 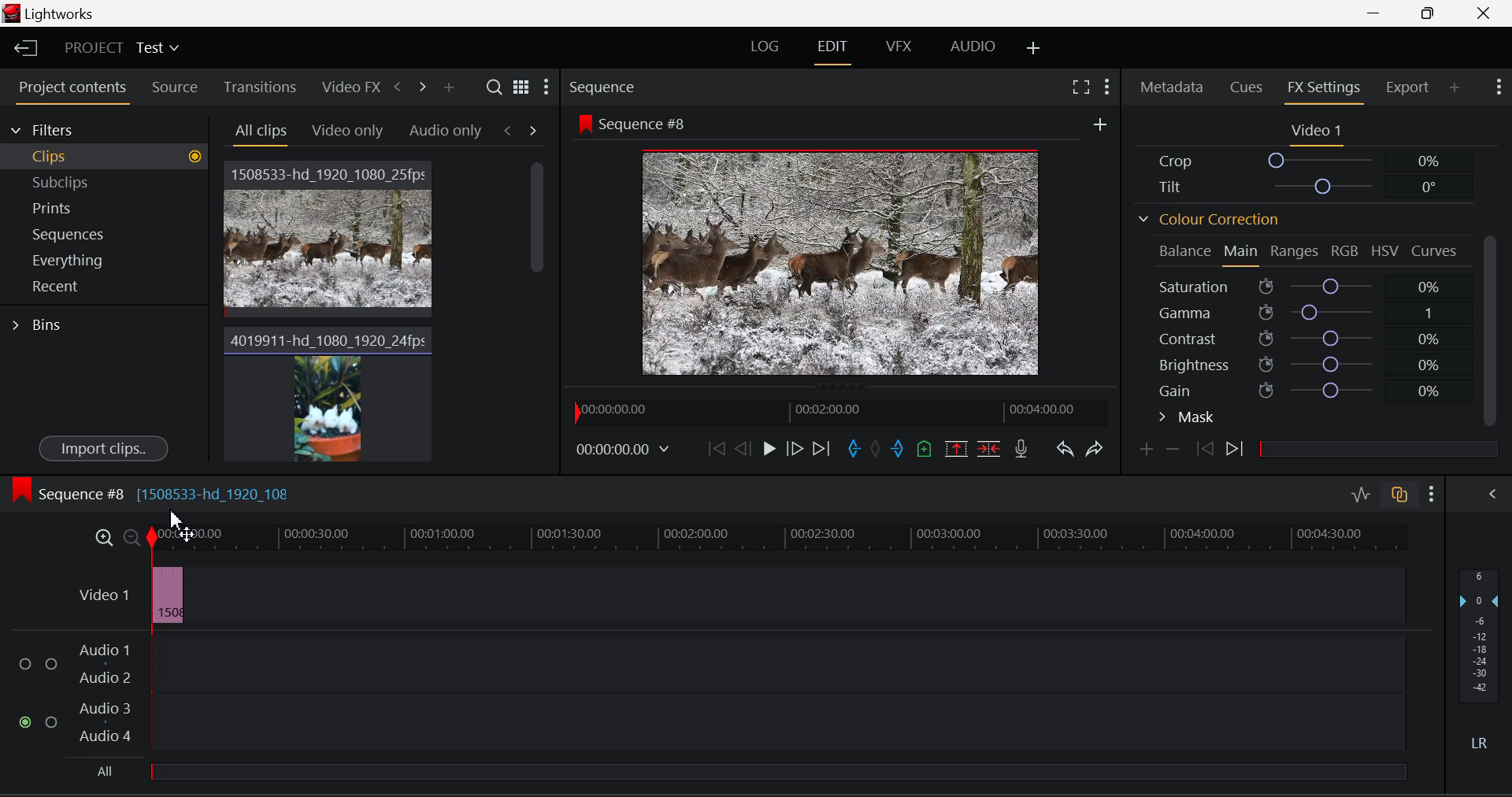 What do you see at coordinates (1110, 90) in the screenshot?
I see `Show Settings Menu` at bounding box center [1110, 90].